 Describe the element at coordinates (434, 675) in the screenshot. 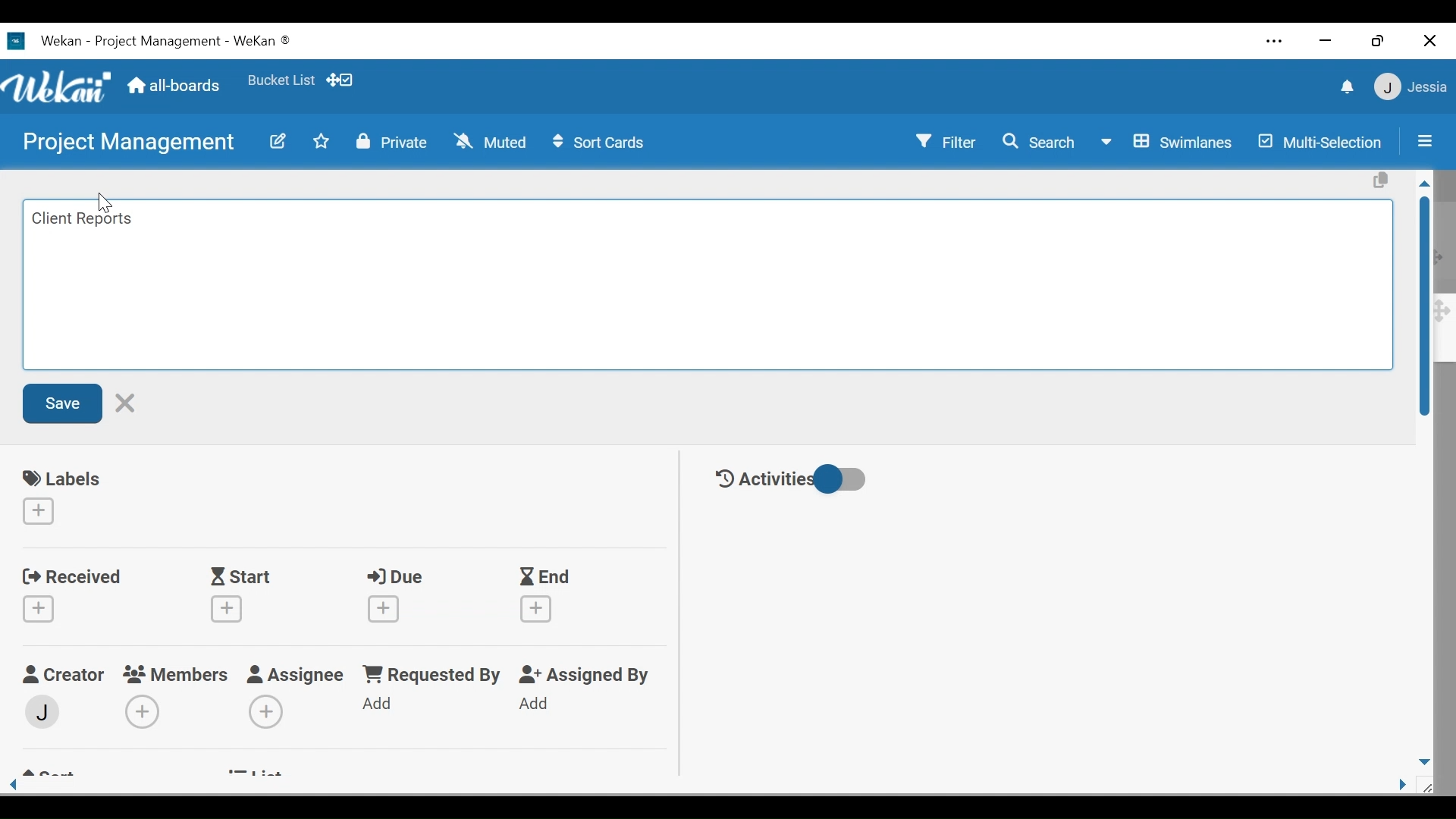

I see `Requested by` at that location.